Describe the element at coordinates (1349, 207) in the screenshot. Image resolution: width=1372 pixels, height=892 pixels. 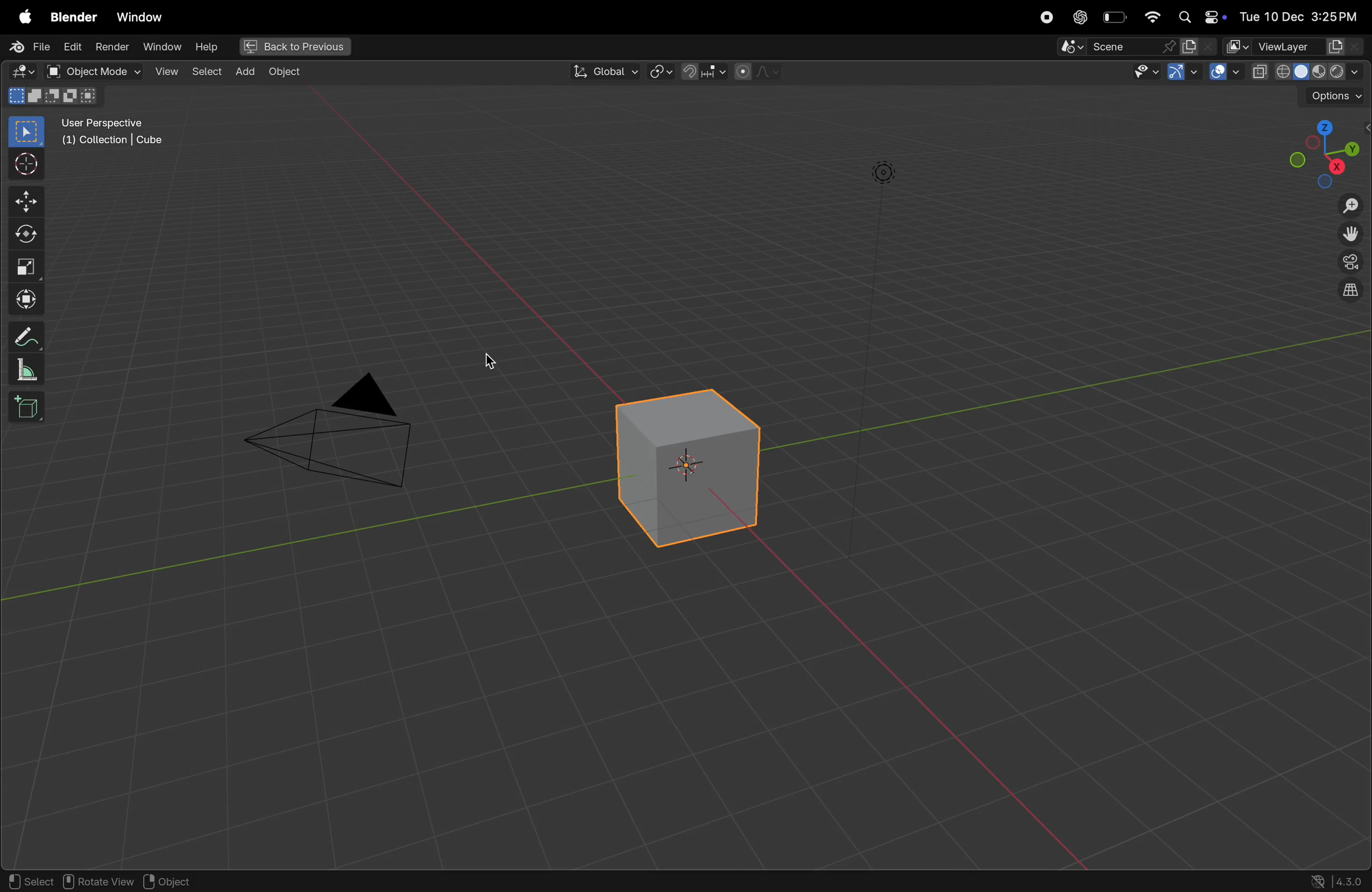
I see `zoom` at that location.